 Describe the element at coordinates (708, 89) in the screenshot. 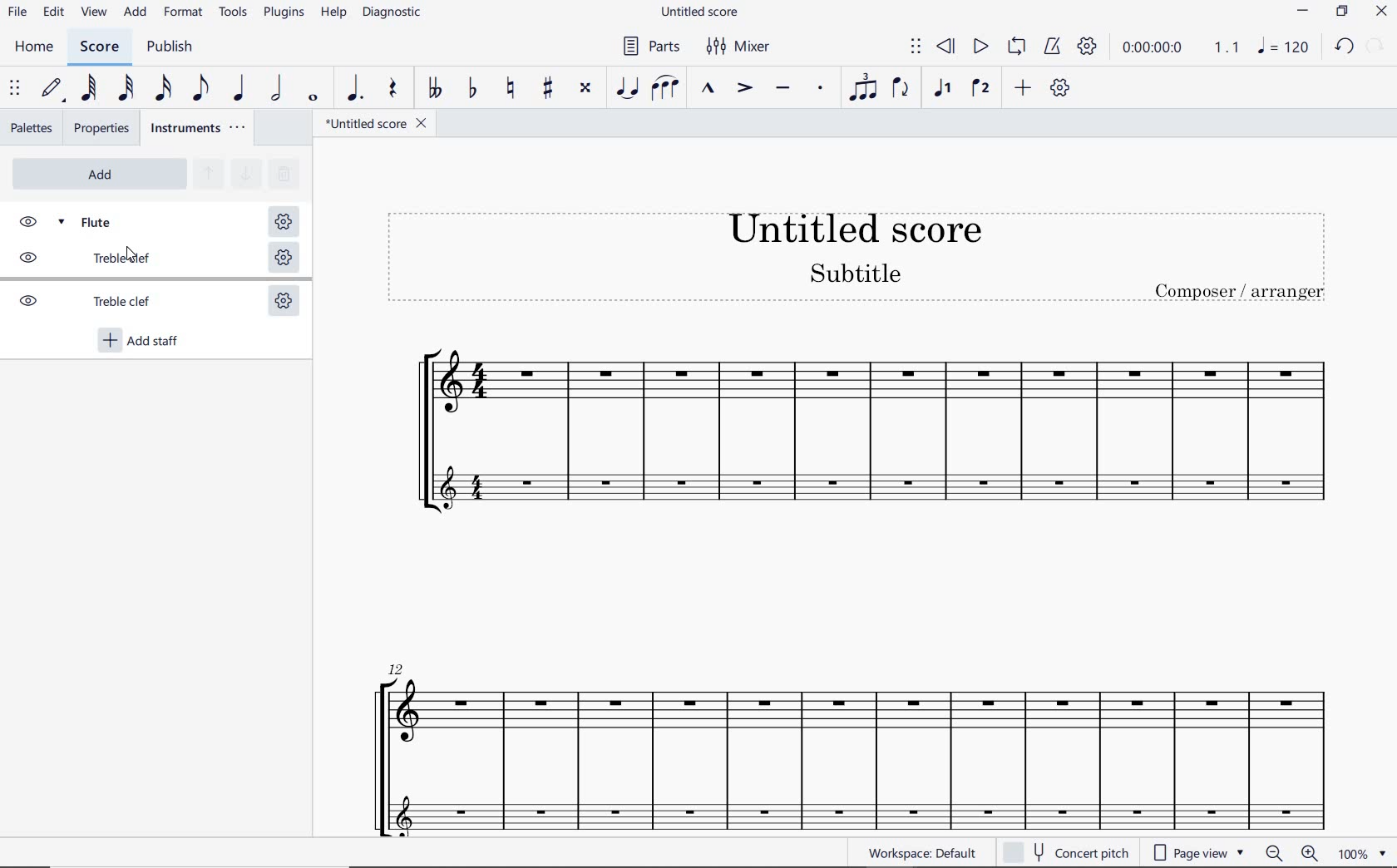

I see `MARCATO` at that location.